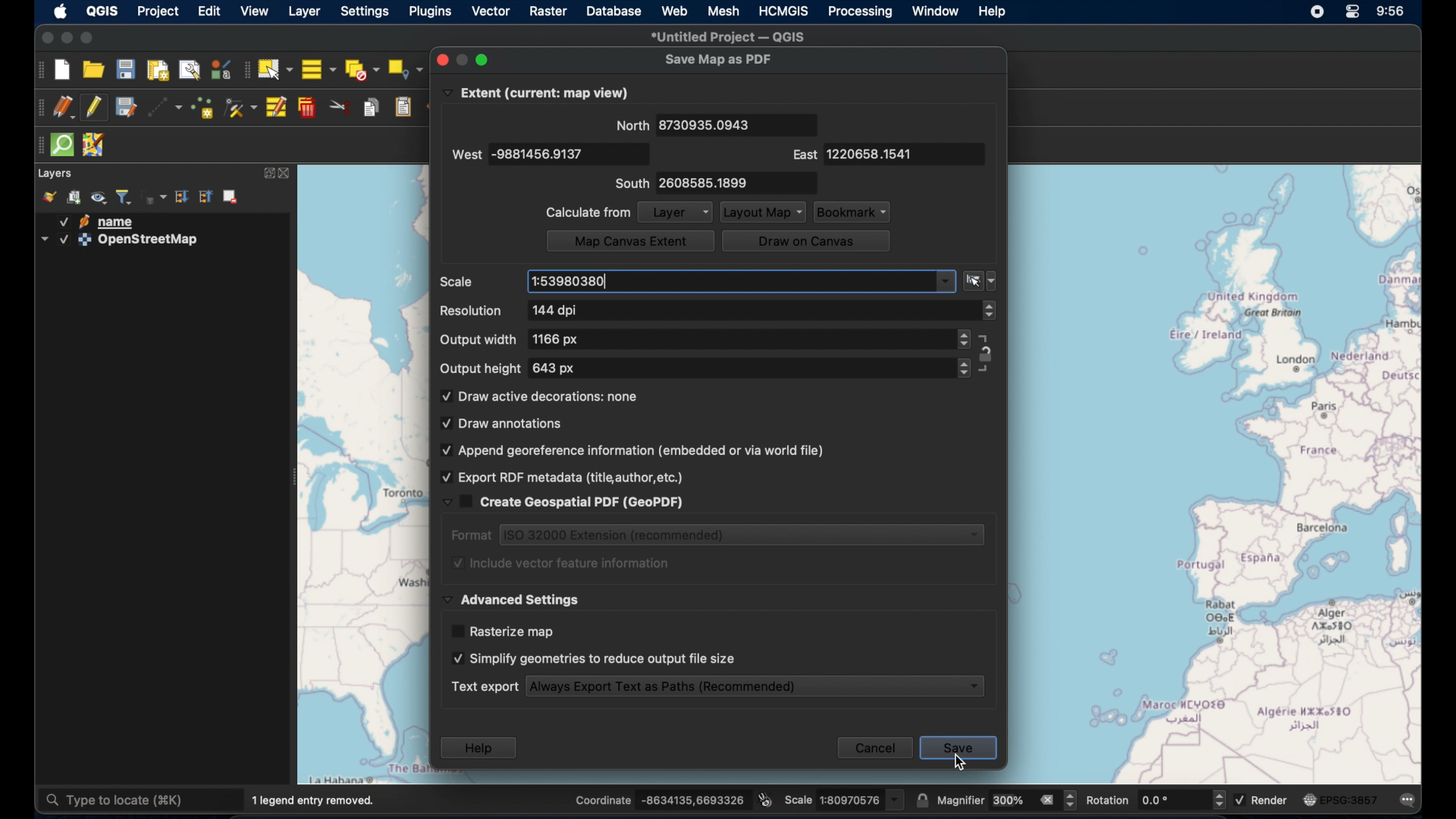  What do you see at coordinates (120, 242) in the screenshot?
I see `openstreetmap` at bounding box center [120, 242].